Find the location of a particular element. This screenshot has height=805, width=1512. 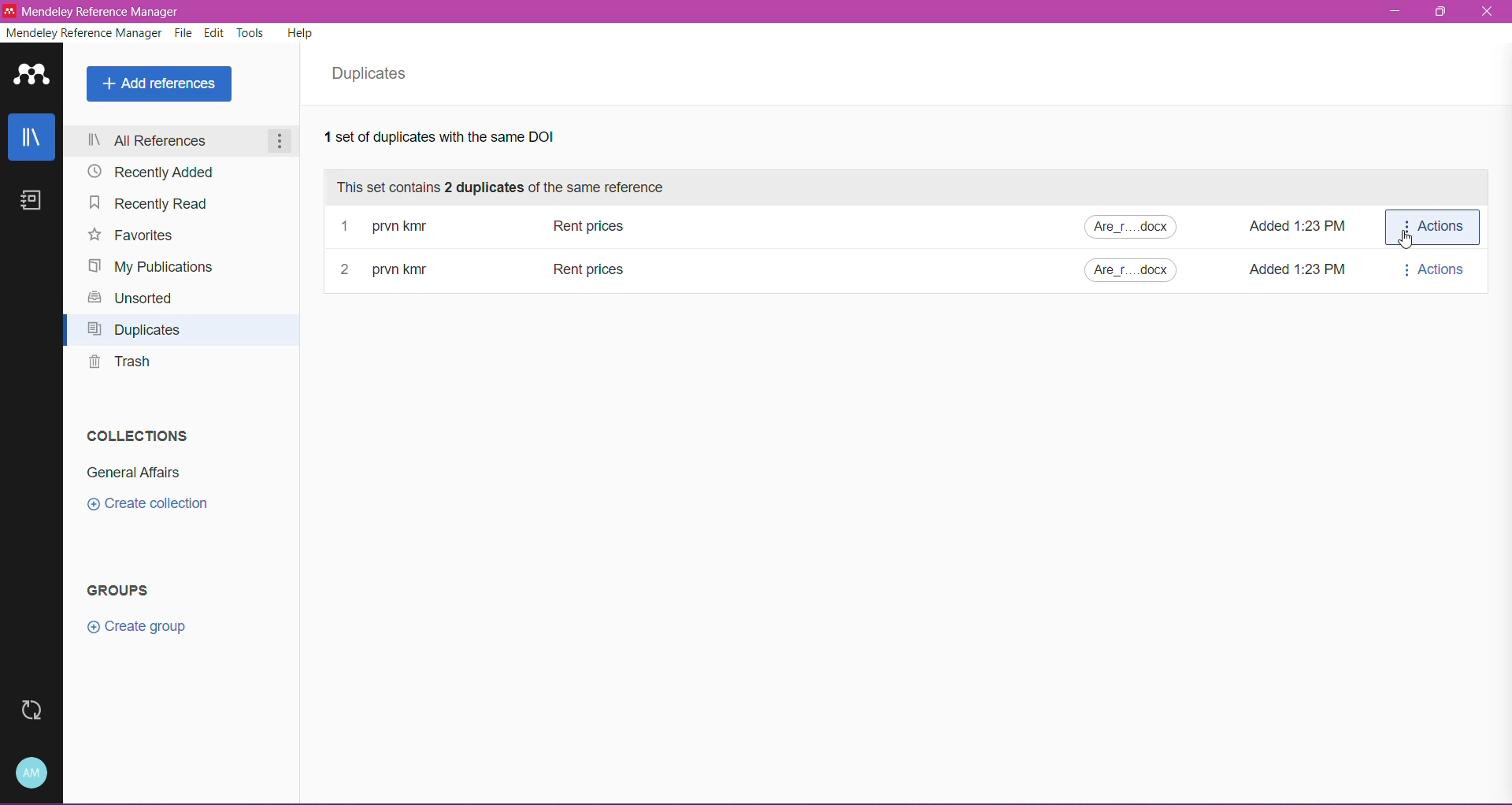

item number is located at coordinates (348, 270).